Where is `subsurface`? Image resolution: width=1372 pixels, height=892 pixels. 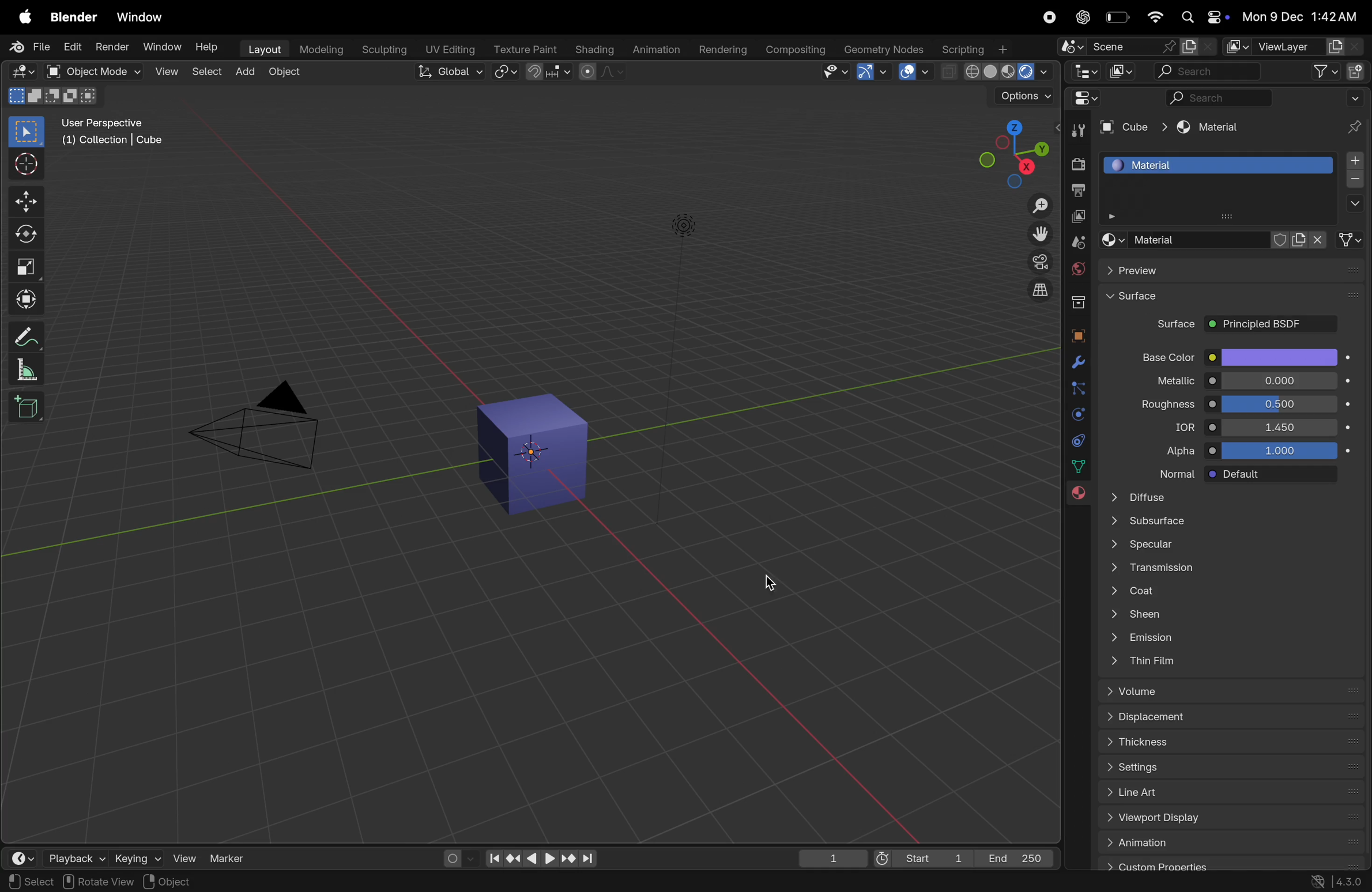
subsurface is located at coordinates (1225, 523).